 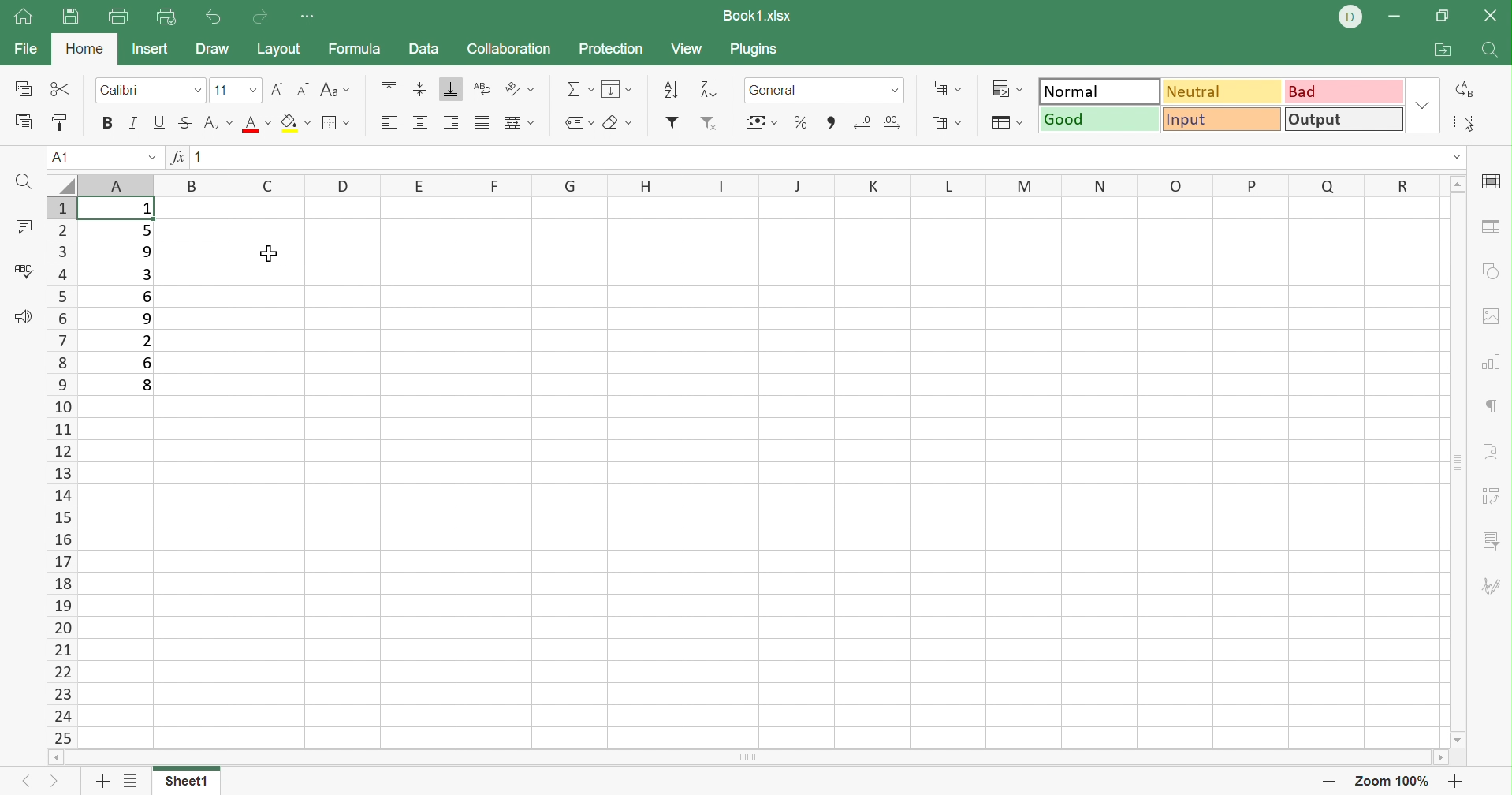 What do you see at coordinates (1492, 52) in the screenshot?
I see `Find` at bounding box center [1492, 52].